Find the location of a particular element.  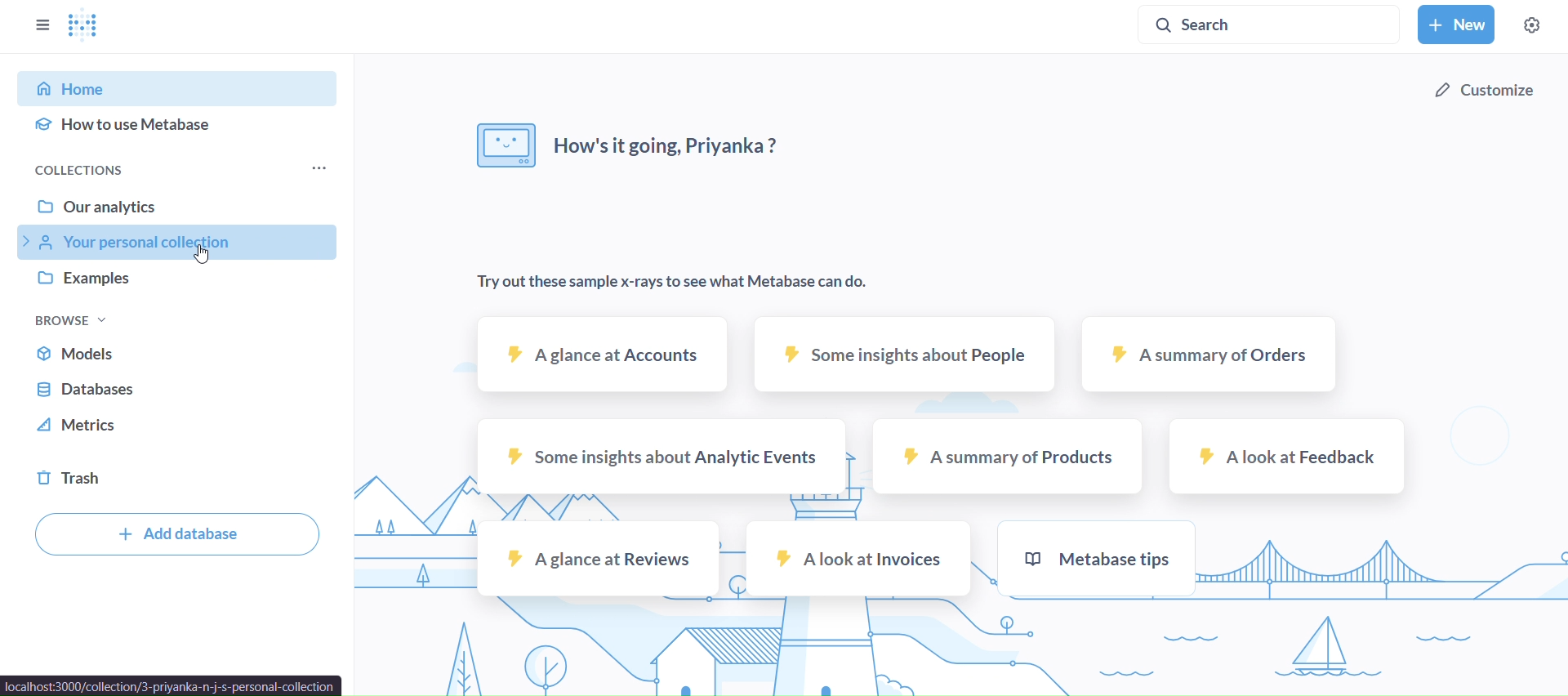

how to use metabase is located at coordinates (179, 122).